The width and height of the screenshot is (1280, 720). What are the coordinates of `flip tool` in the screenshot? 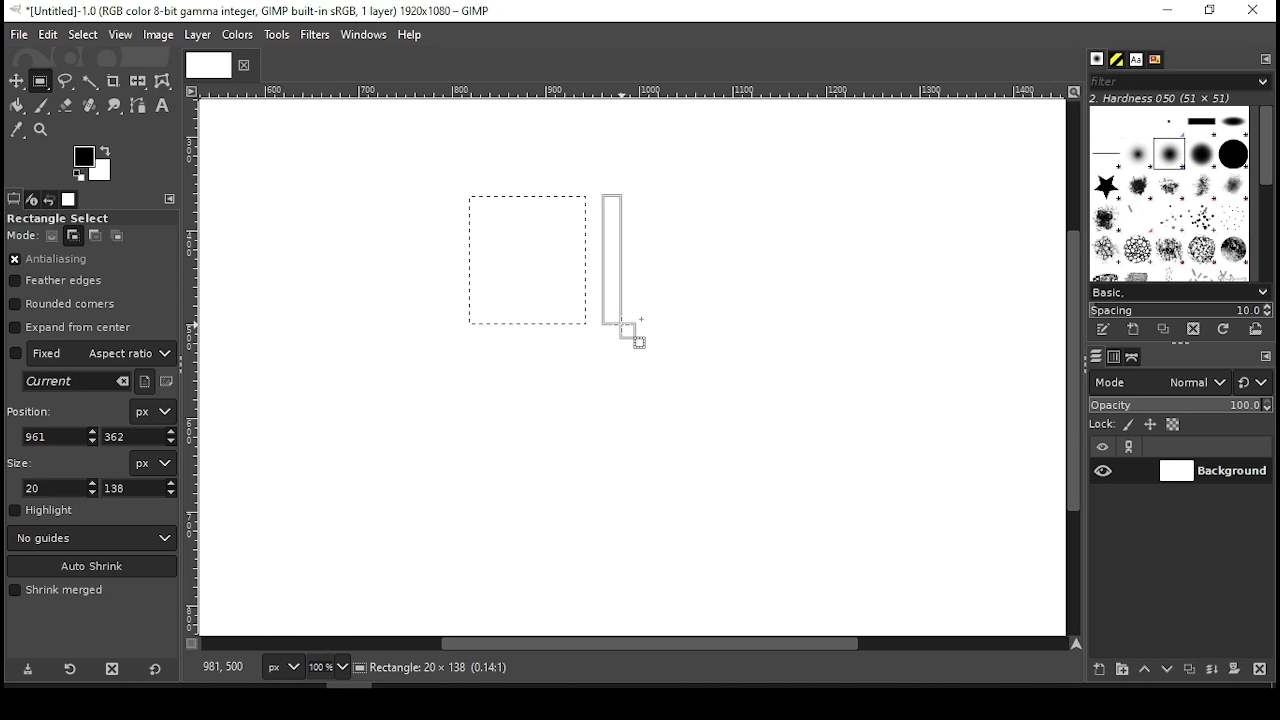 It's located at (138, 80).